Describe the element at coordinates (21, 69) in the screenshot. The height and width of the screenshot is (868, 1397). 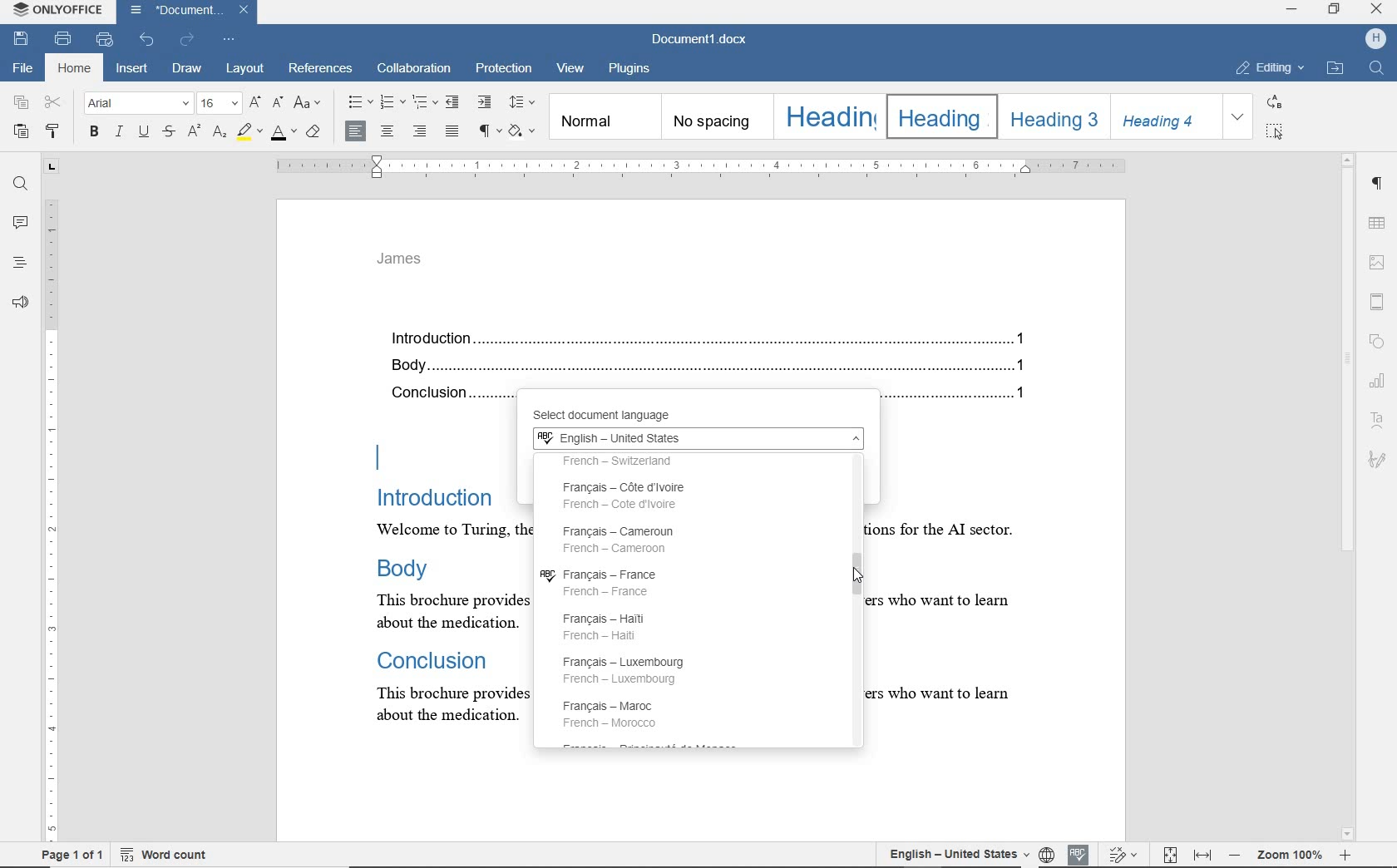
I see `file` at that location.